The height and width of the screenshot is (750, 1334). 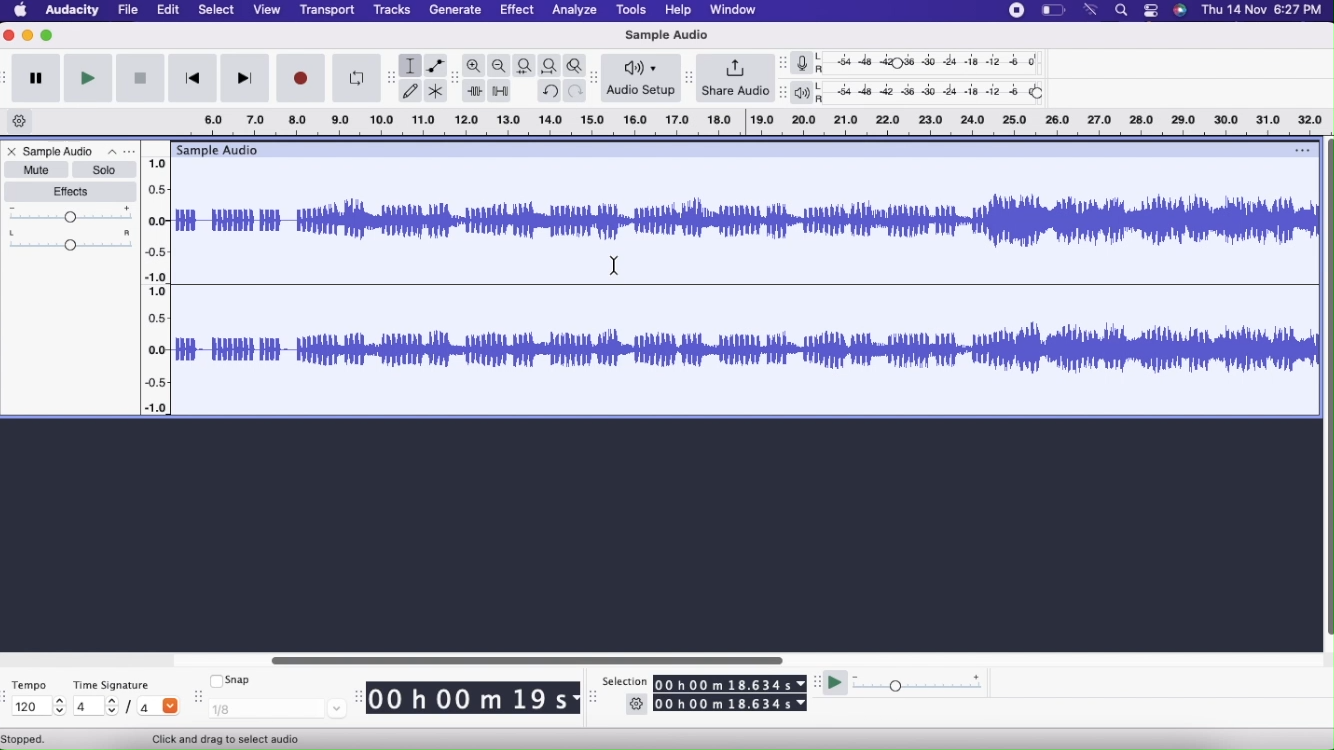 I want to click on Sample Audio, so click(x=664, y=36).